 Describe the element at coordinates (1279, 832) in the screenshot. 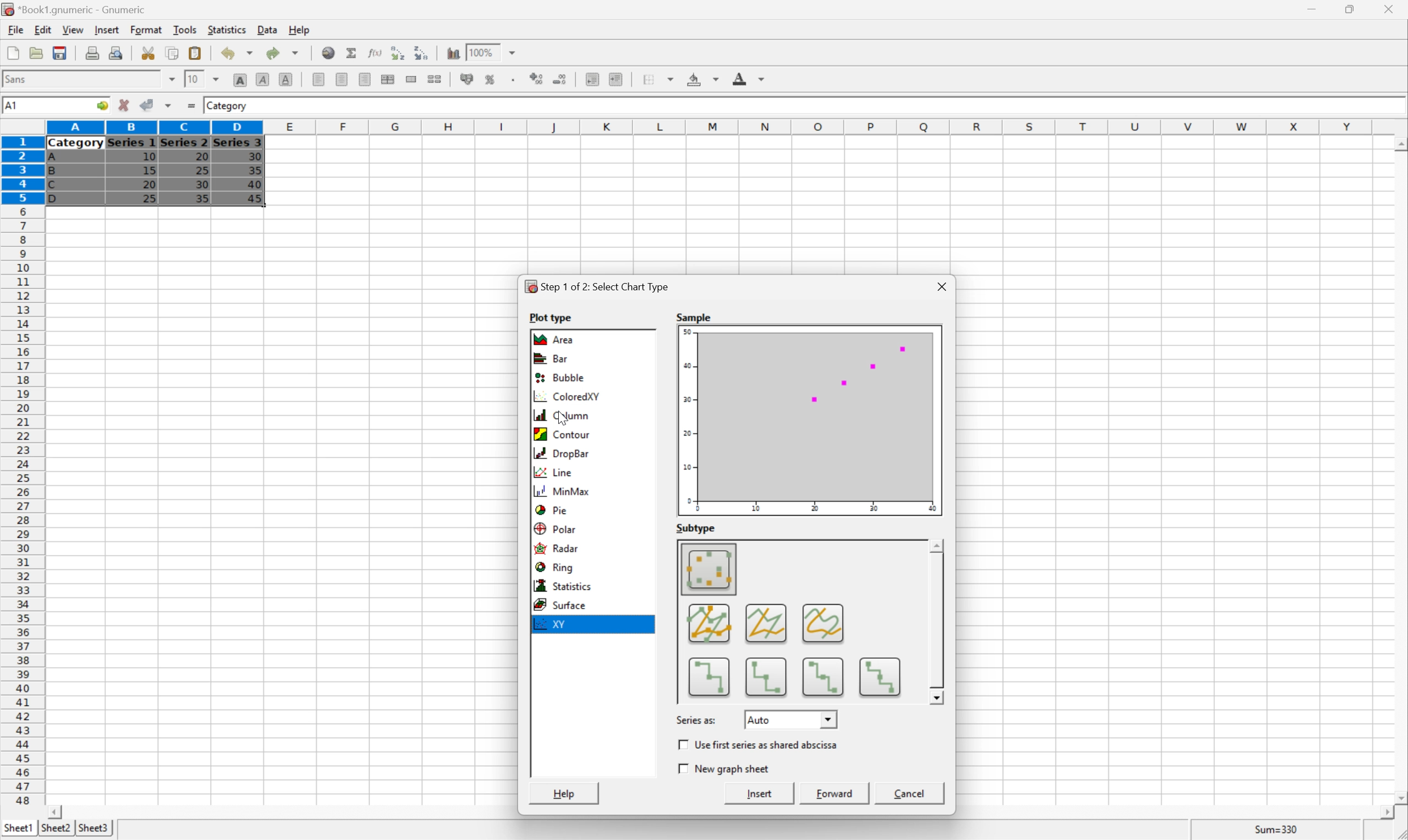

I see `Sum=0` at that location.